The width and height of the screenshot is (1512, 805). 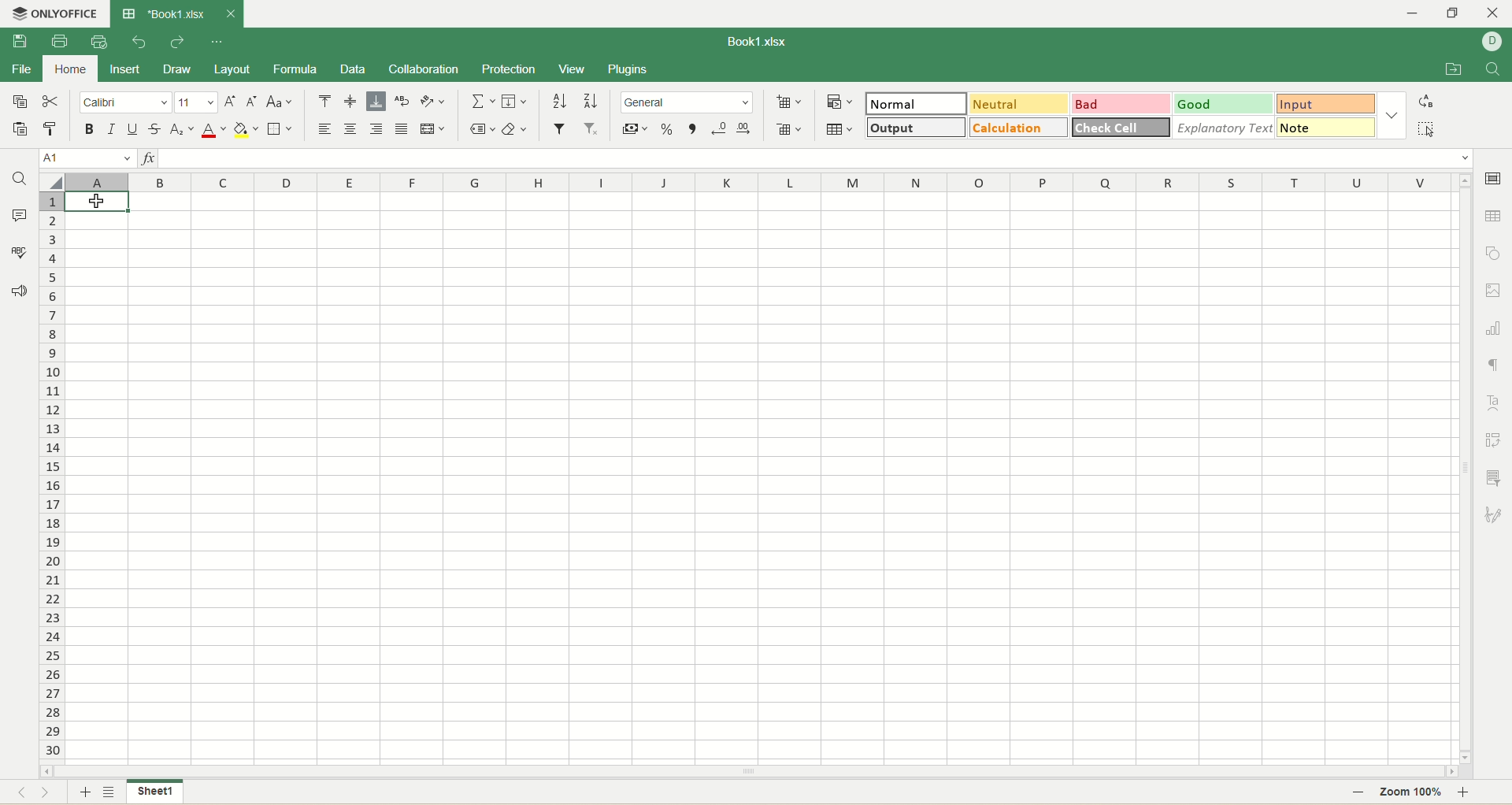 I want to click on remove filter, so click(x=590, y=128).